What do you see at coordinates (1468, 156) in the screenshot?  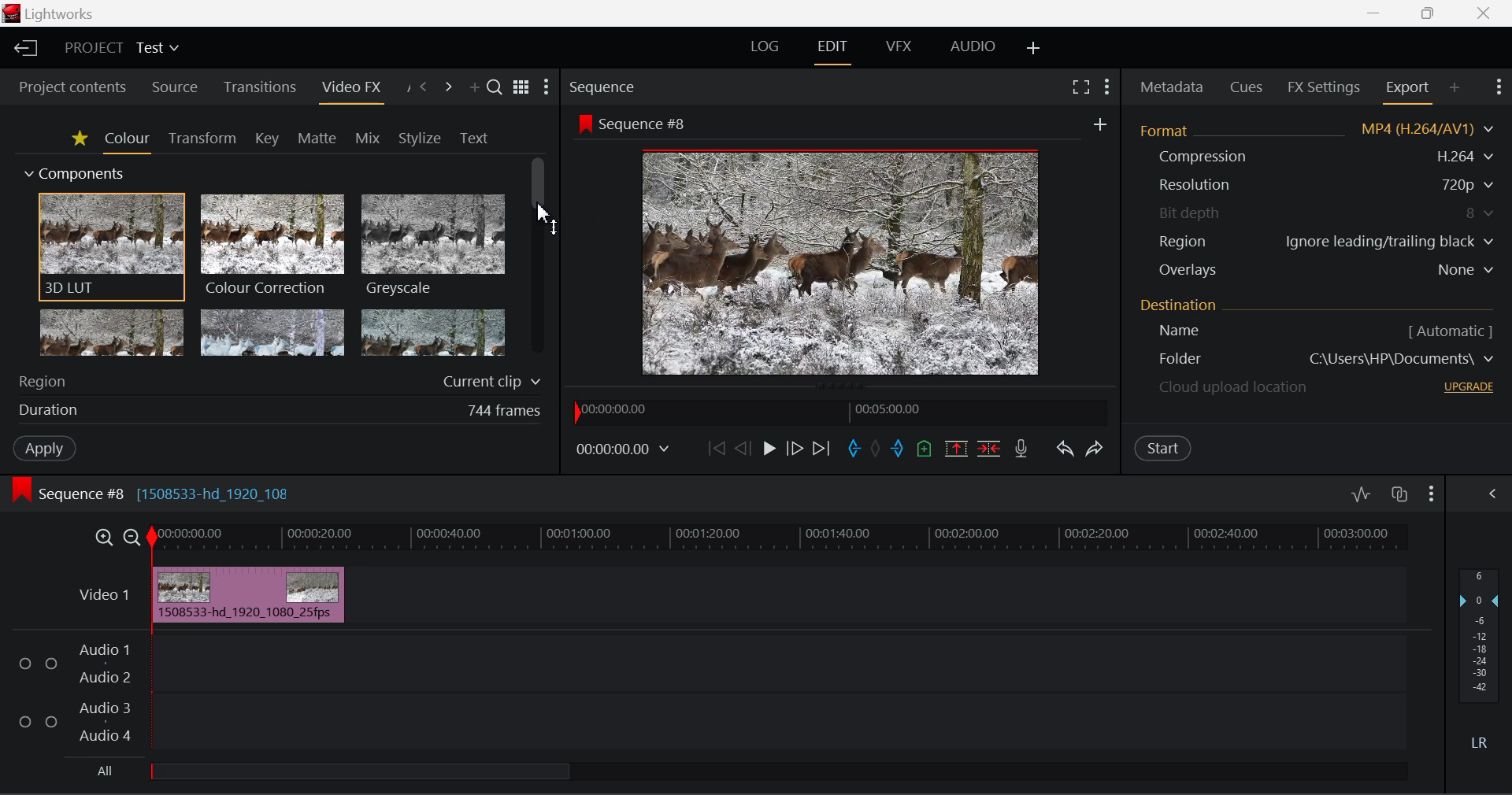 I see `H.264 ` at bounding box center [1468, 156].